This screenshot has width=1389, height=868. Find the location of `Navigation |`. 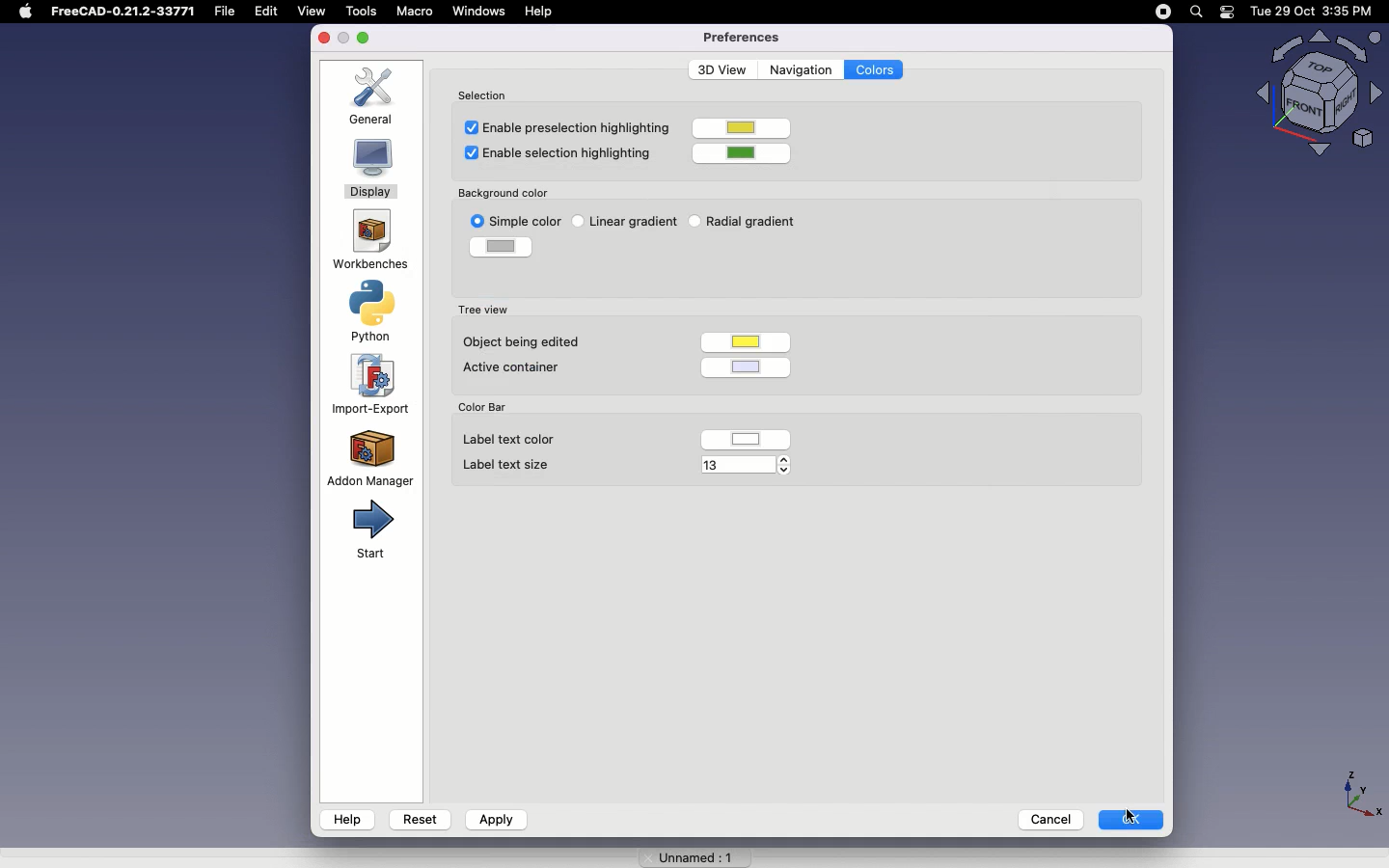

Navigation | is located at coordinates (799, 68).